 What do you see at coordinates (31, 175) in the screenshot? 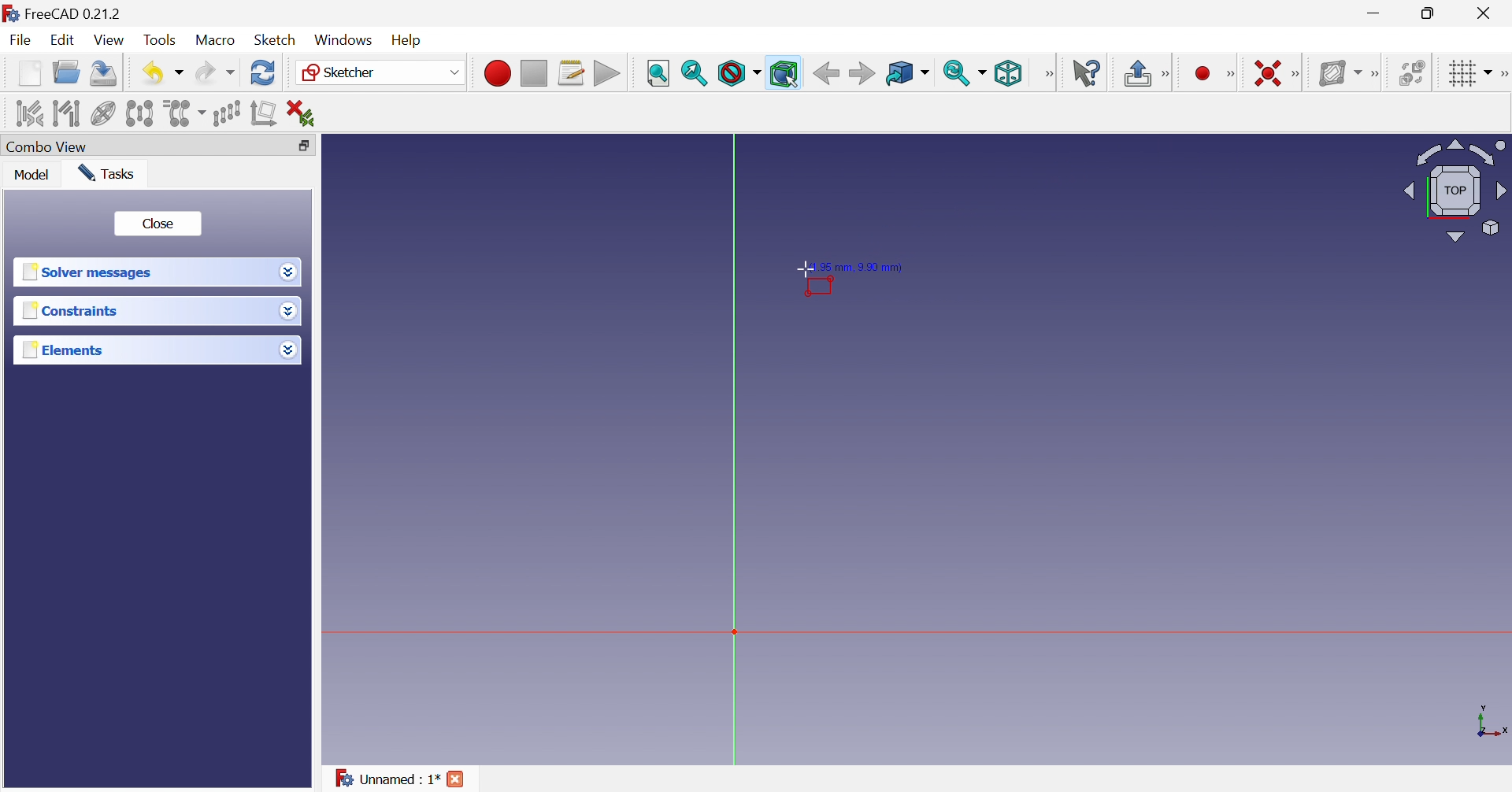
I see `Model` at bounding box center [31, 175].